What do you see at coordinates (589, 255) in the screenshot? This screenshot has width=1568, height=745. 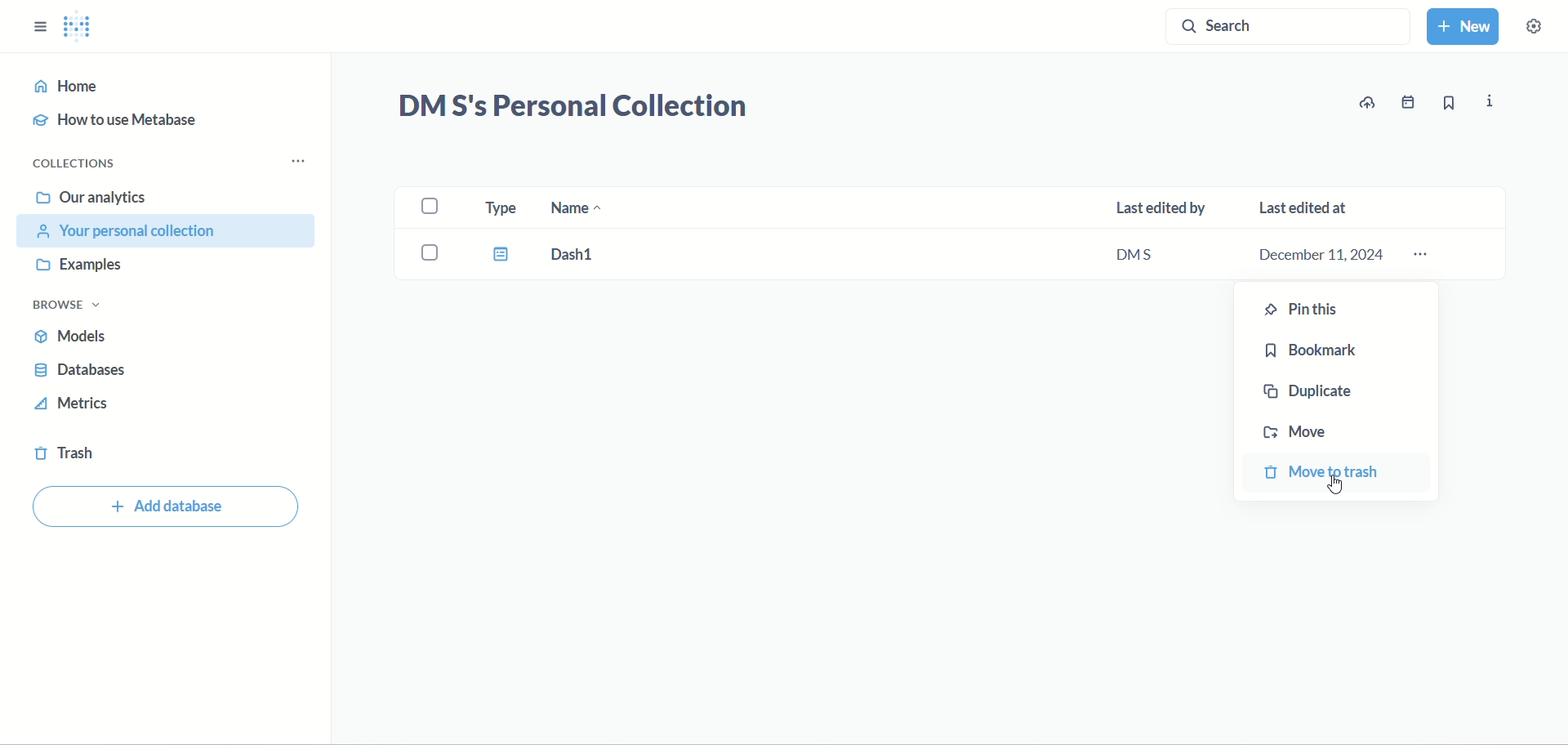 I see `Dash1 ` at bounding box center [589, 255].